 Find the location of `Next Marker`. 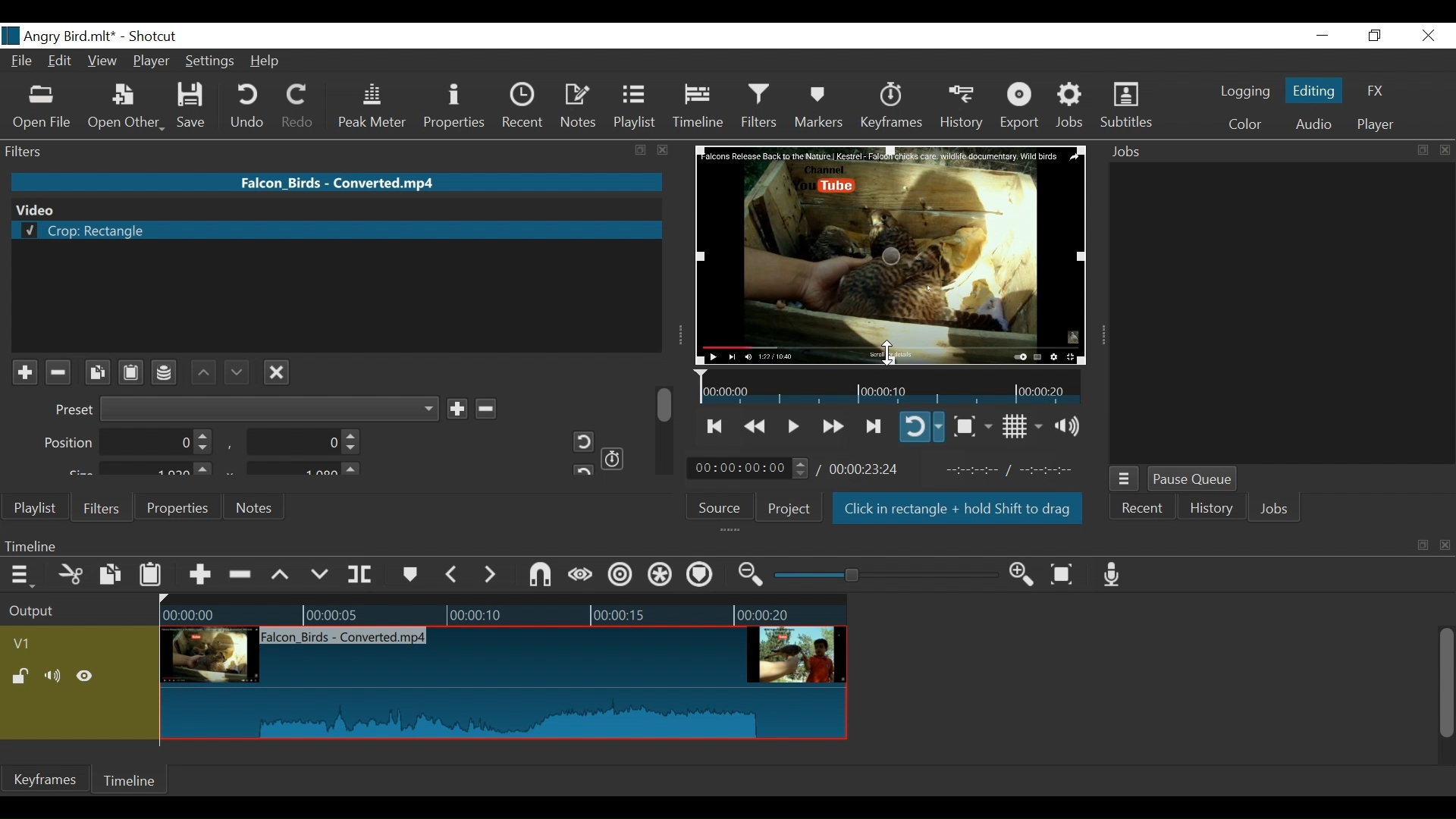

Next Marker is located at coordinates (492, 574).